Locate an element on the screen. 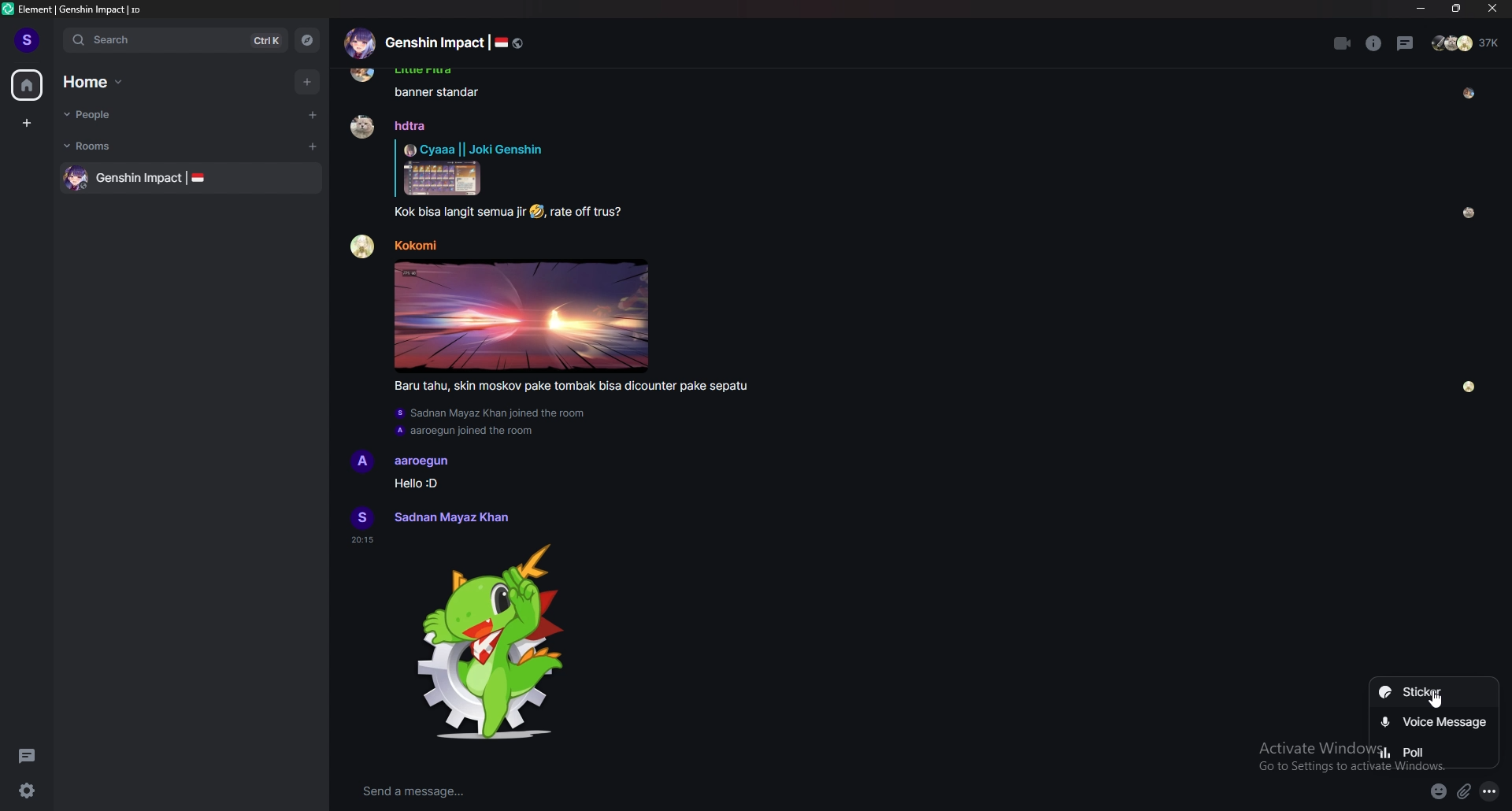 The height and width of the screenshot is (811, 1512). Sadnan Mayaz Khan joined the room is located at coordinates (491, 413).